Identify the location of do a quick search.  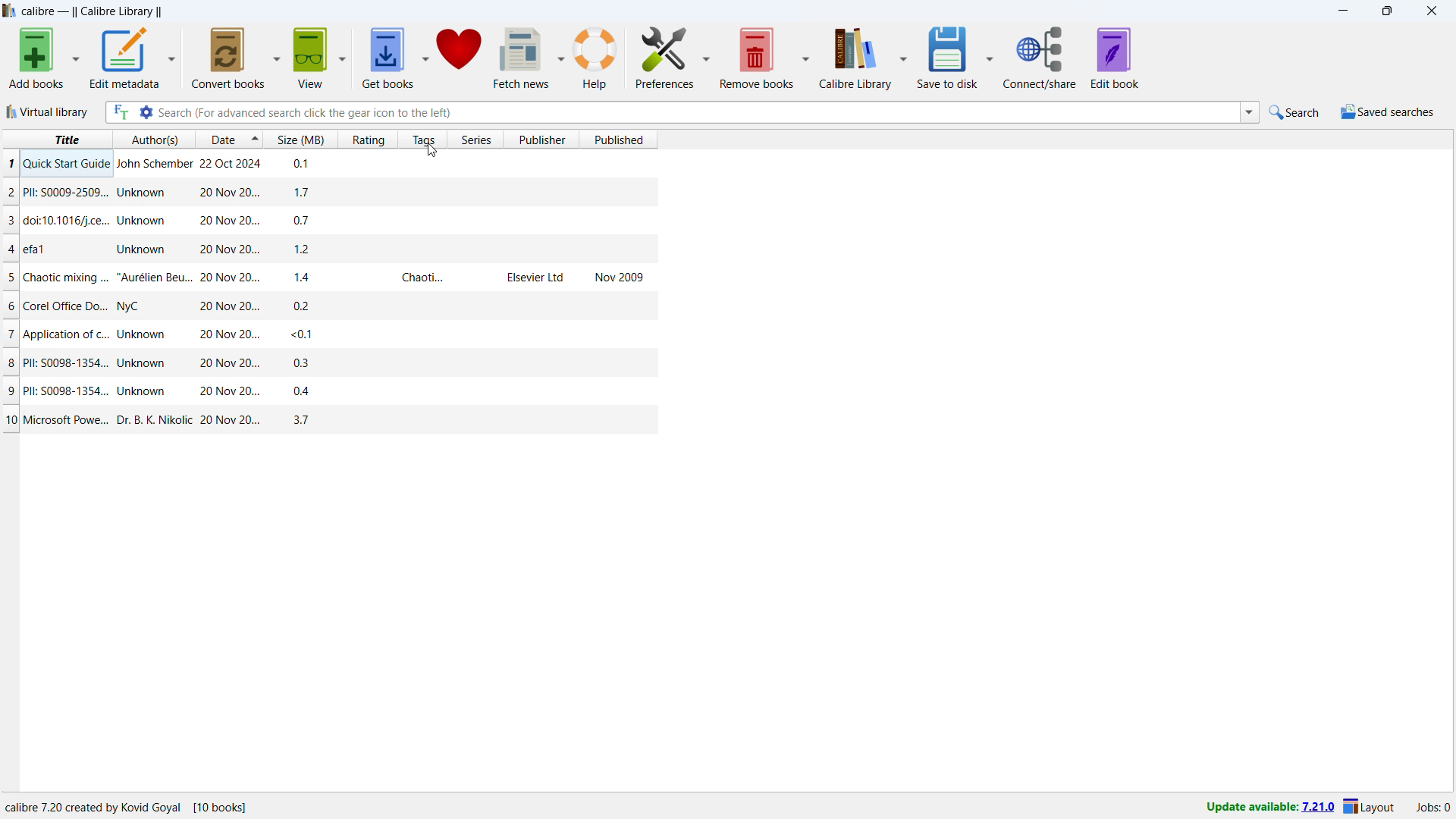
(1296, 113).